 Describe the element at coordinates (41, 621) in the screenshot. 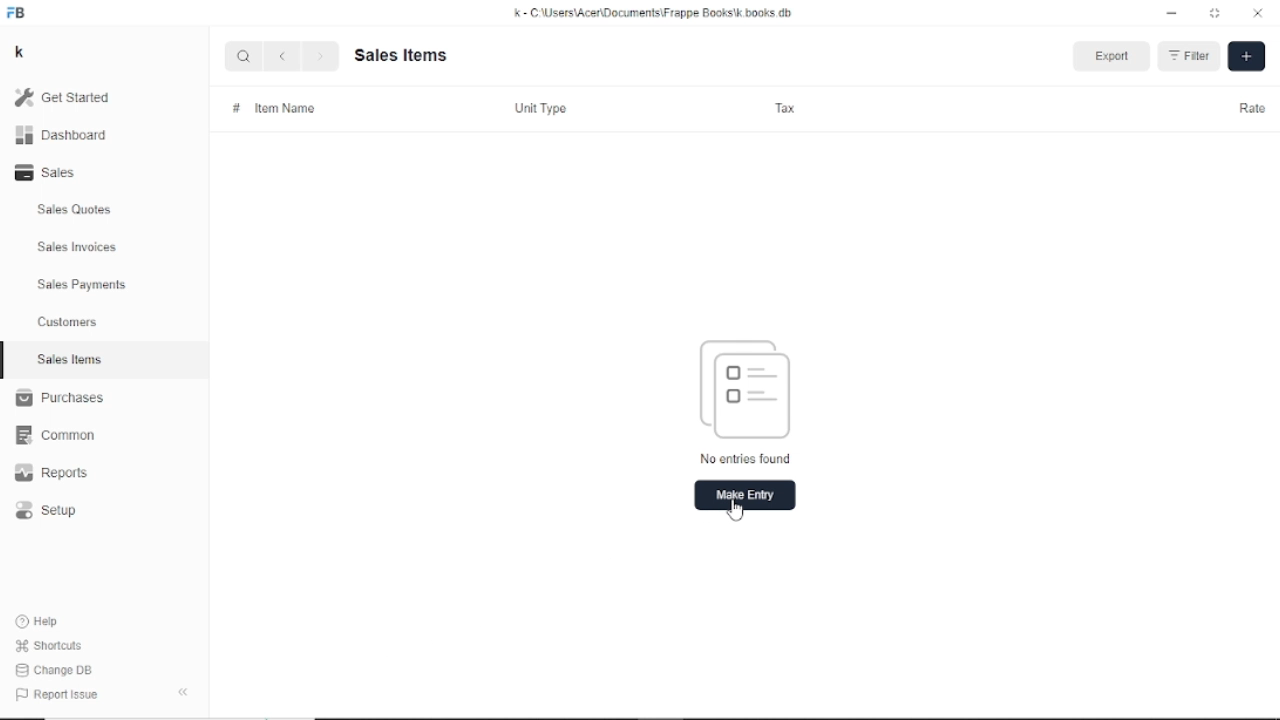

I see `Help` at that location.